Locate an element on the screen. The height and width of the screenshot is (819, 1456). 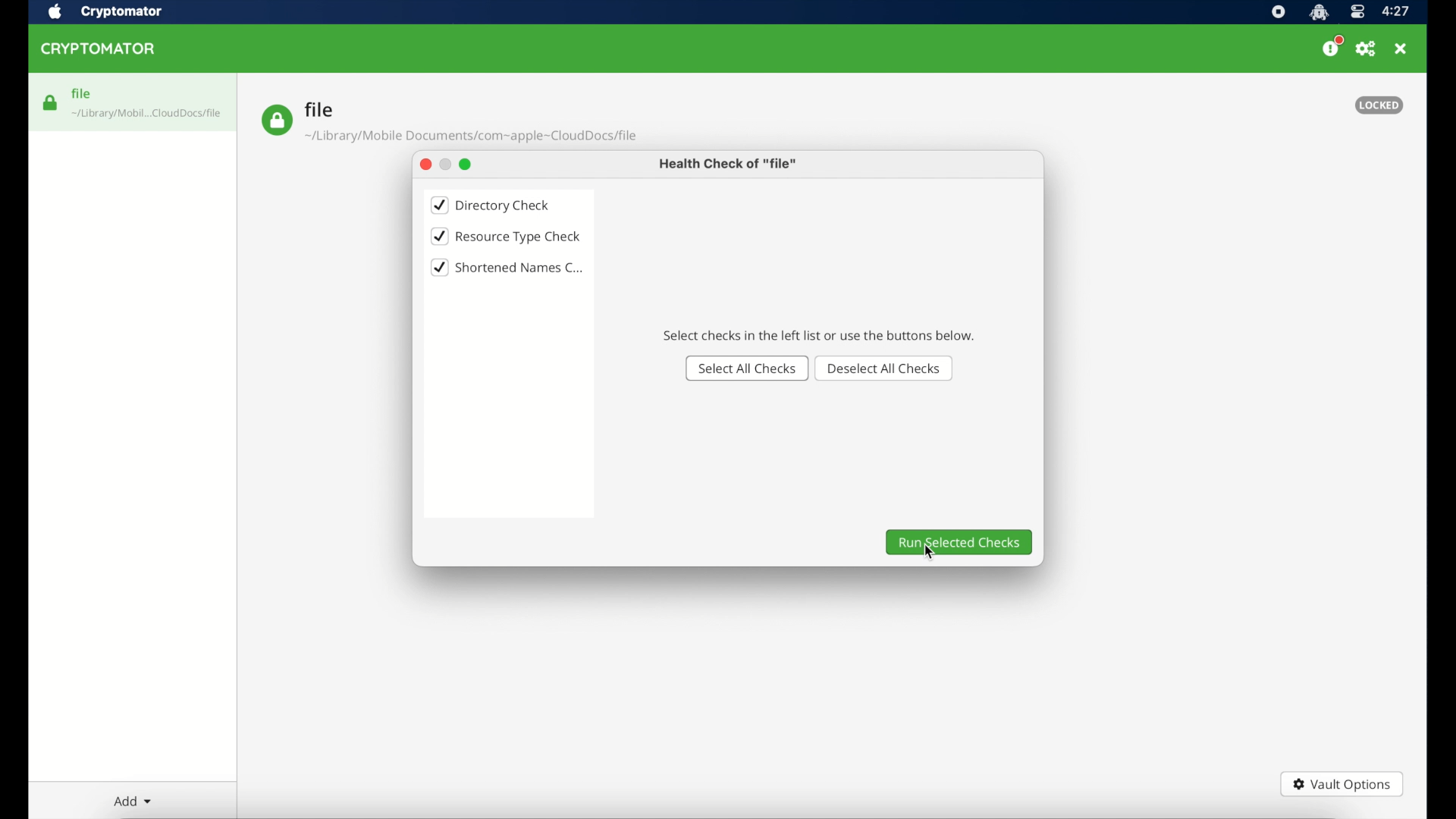
maximize is located at coordinates (467, 164).